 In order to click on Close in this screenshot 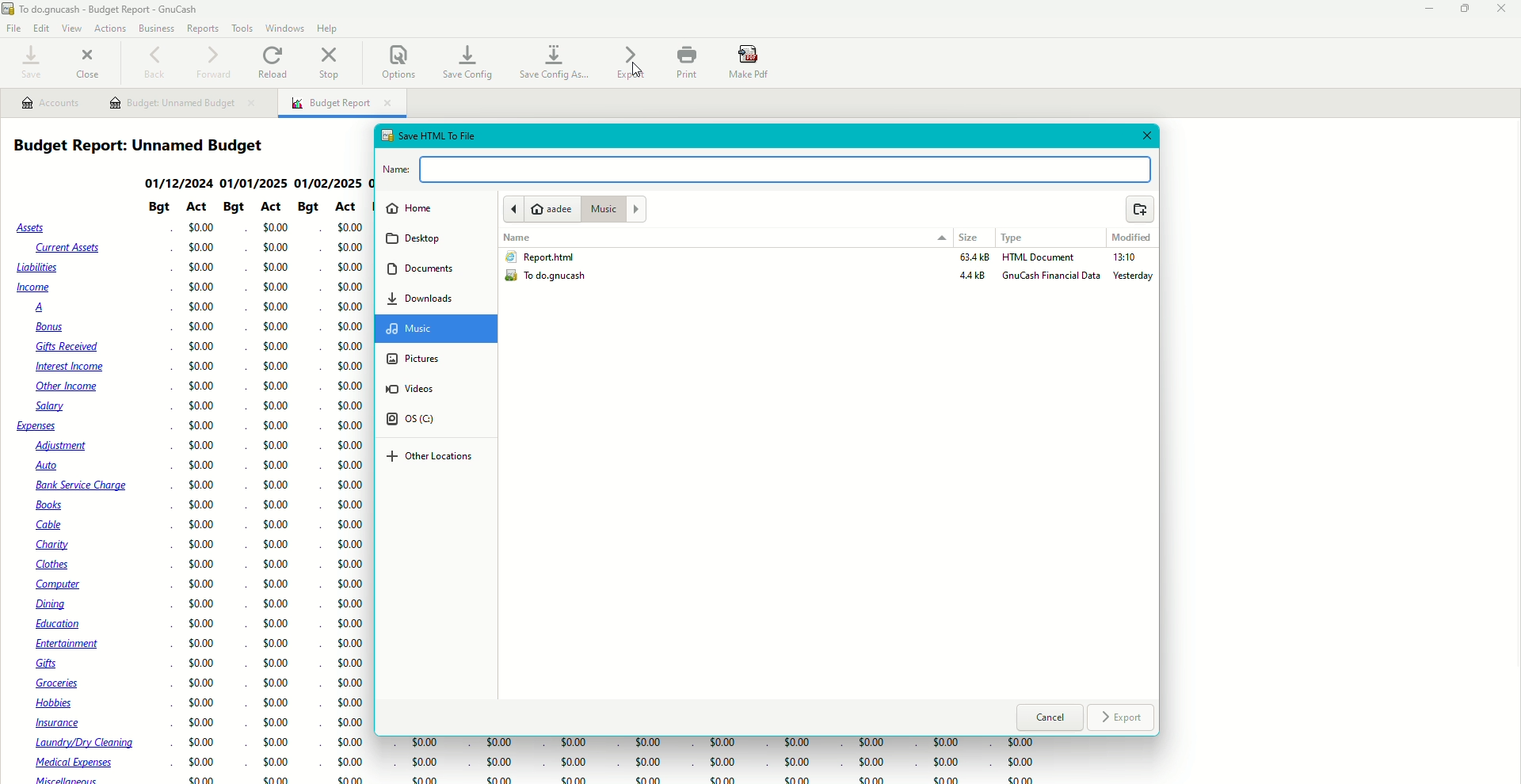, I will do `click(1504, 10)`.